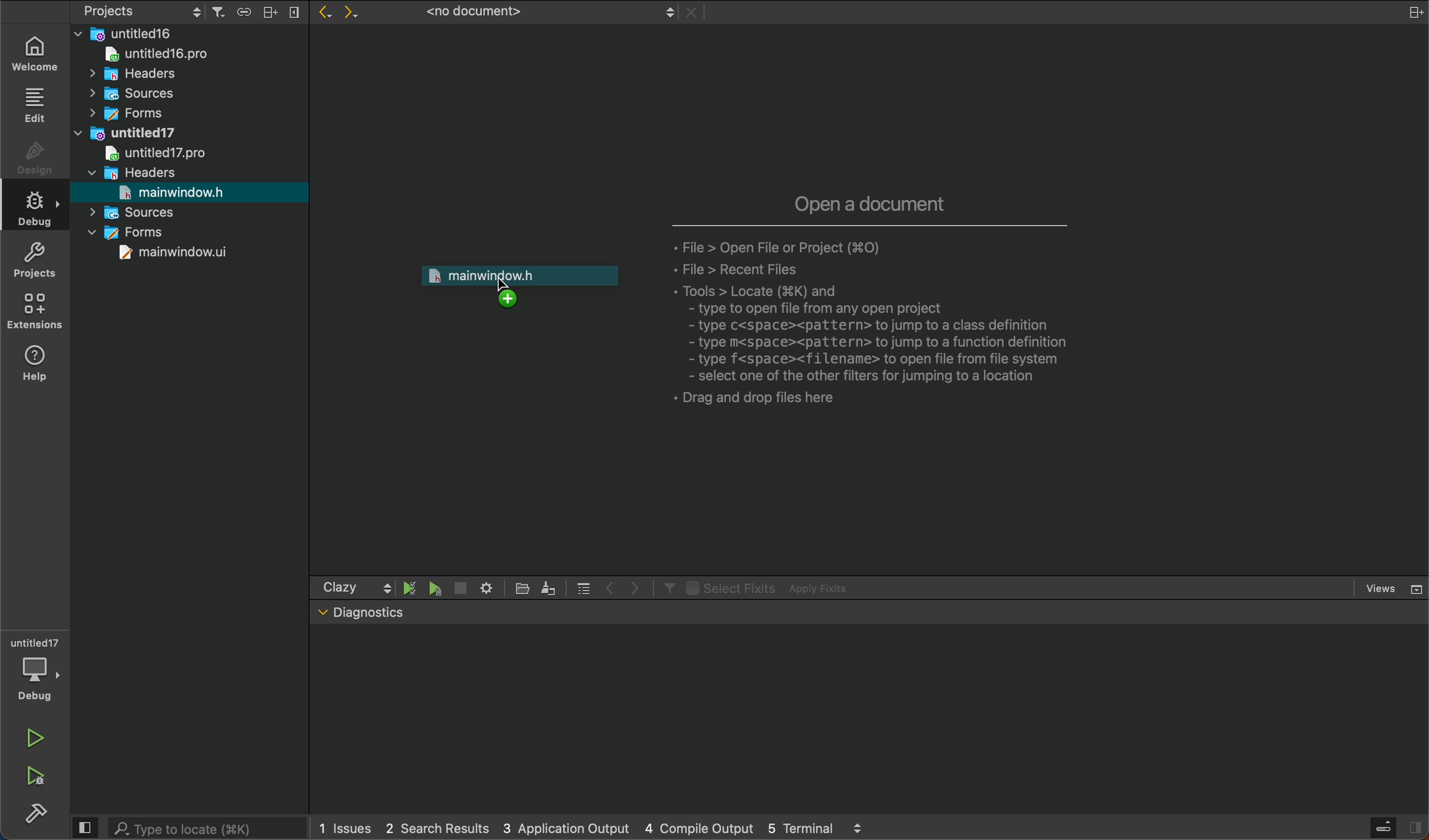 The image size is (1429, 840). Describe the element at coordinates (38, 161) in the screenshot. I see `DESIGN` at that location.